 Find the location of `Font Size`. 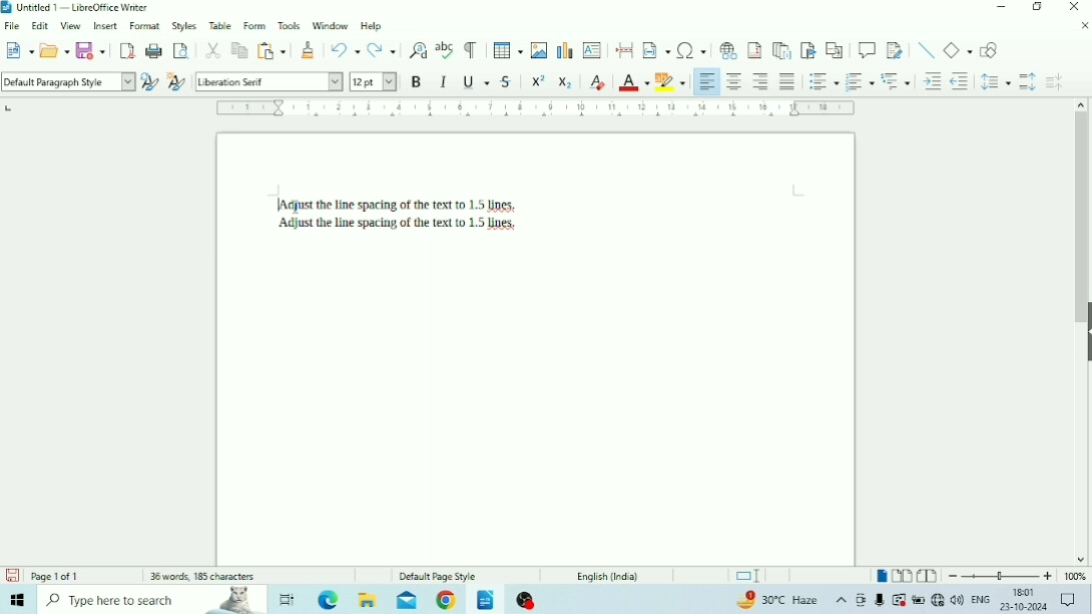

Font Size is located at coordinates (373, 81).